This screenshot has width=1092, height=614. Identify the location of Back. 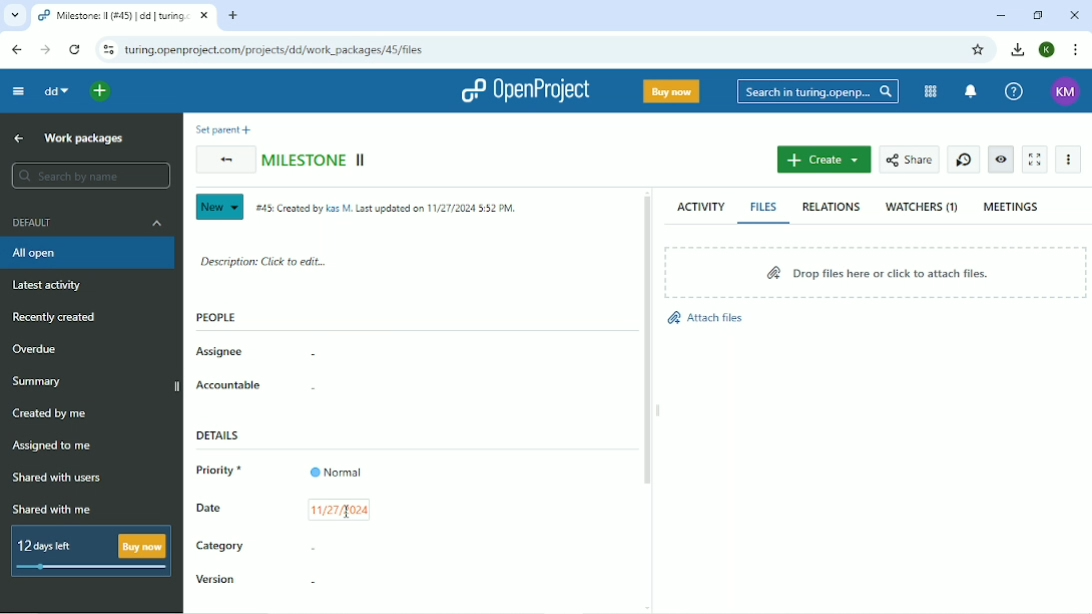
(16, 50).